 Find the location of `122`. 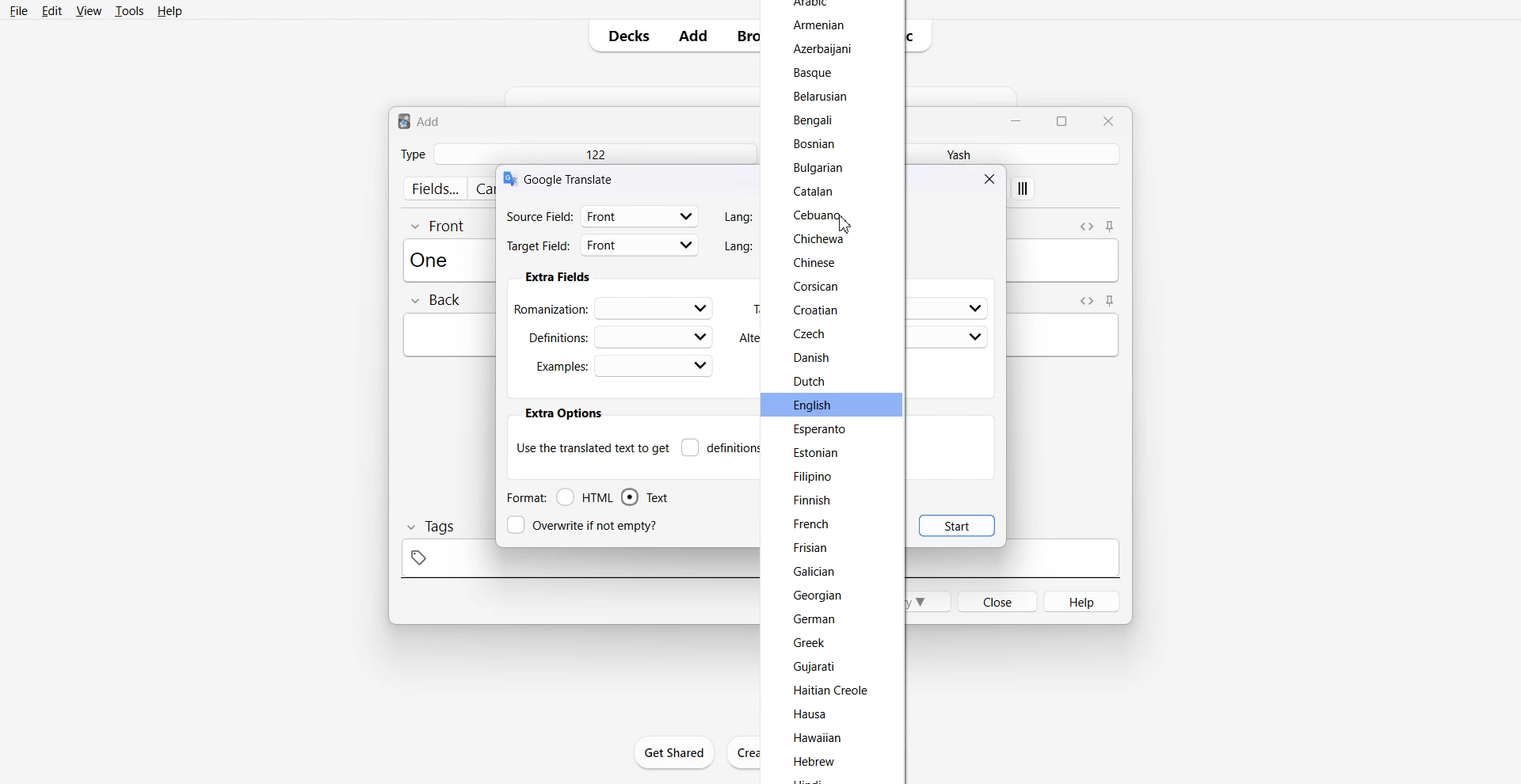

122 is located at coordinates (594, 154).